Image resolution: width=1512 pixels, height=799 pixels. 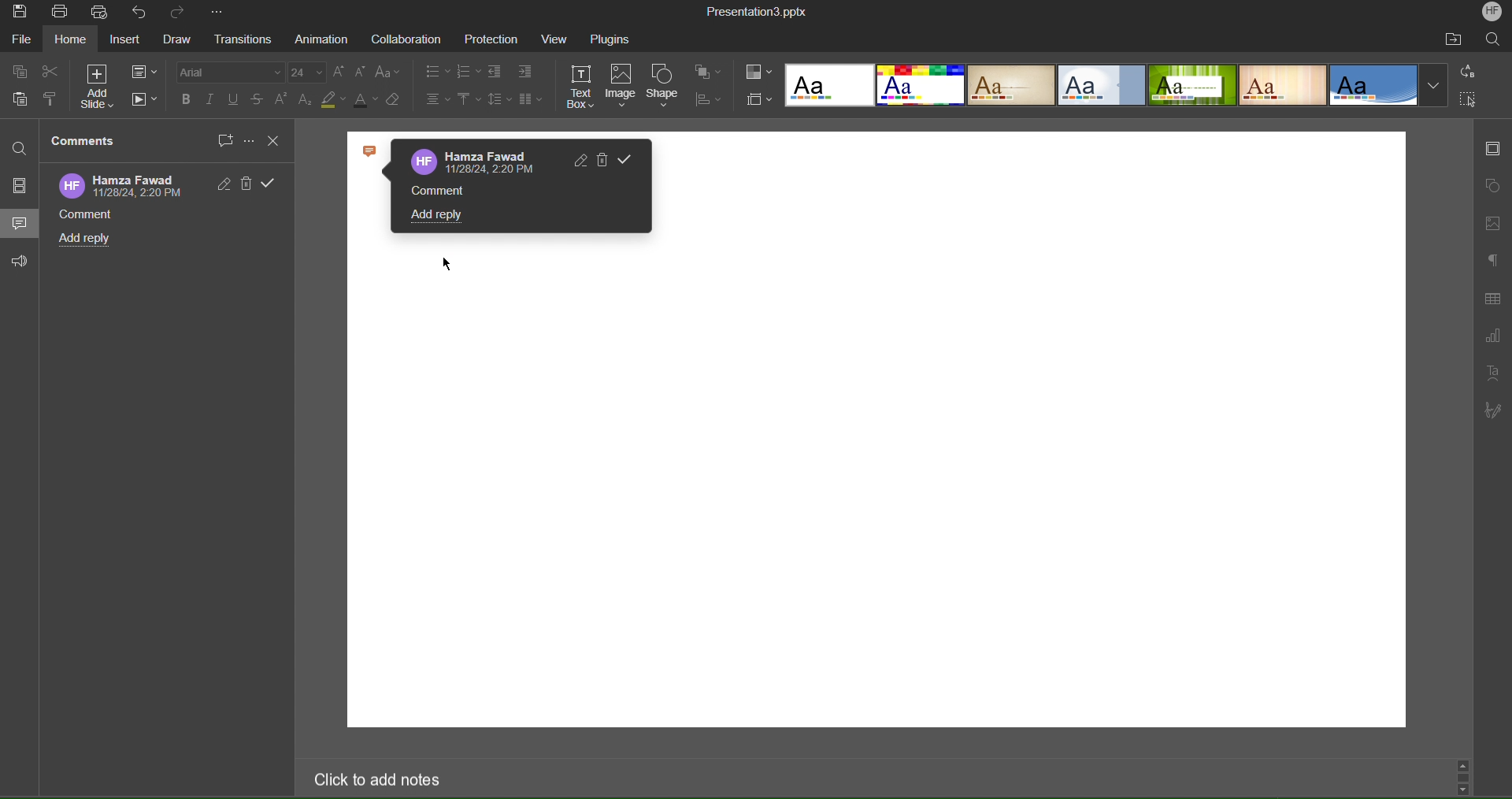 What do you see at coordinates (626, 158) in the screenshot?
I see `Validate` at bounding box center [626, 158].